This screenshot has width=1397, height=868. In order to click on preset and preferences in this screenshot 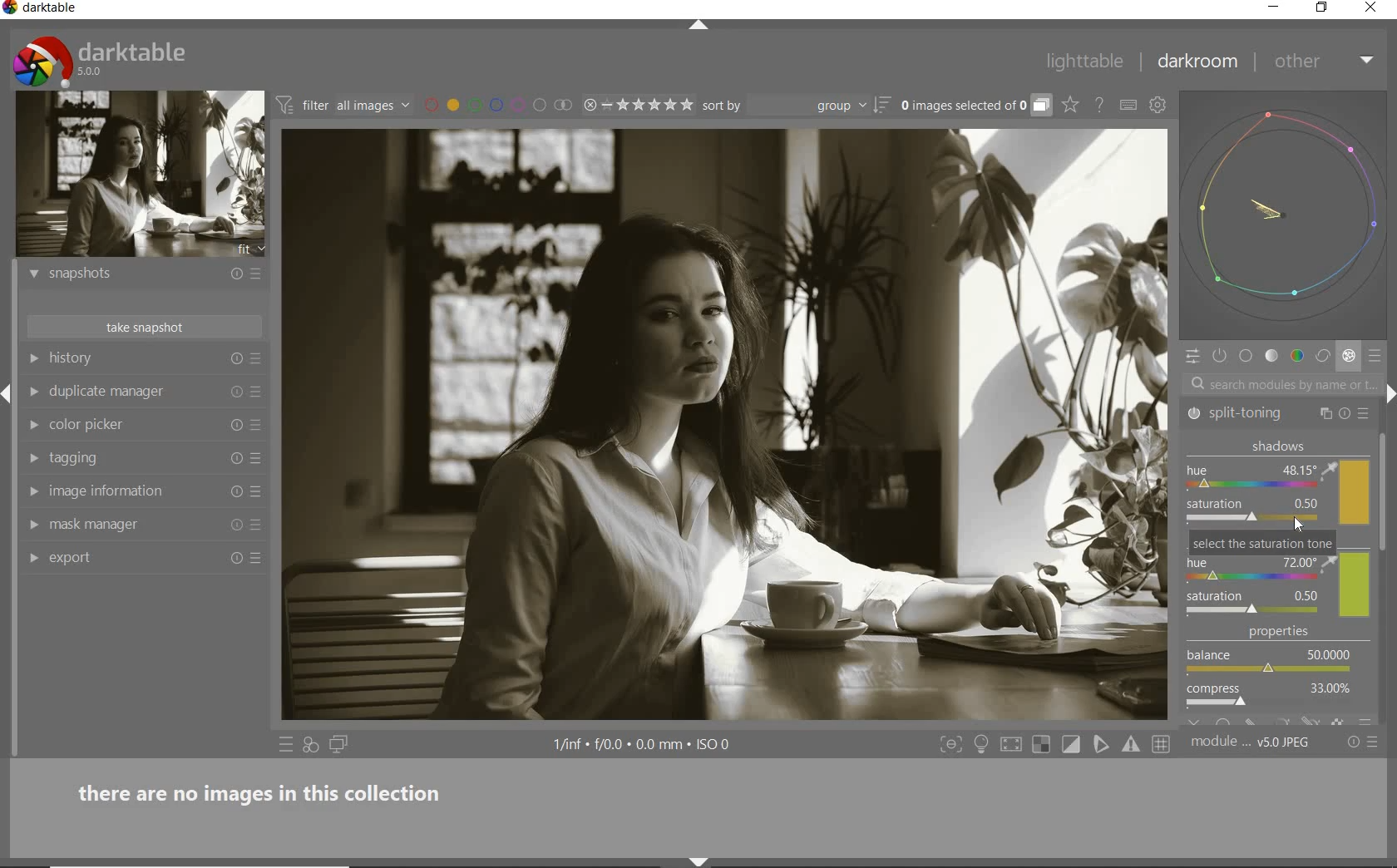, I will do `click(258, 526)`.